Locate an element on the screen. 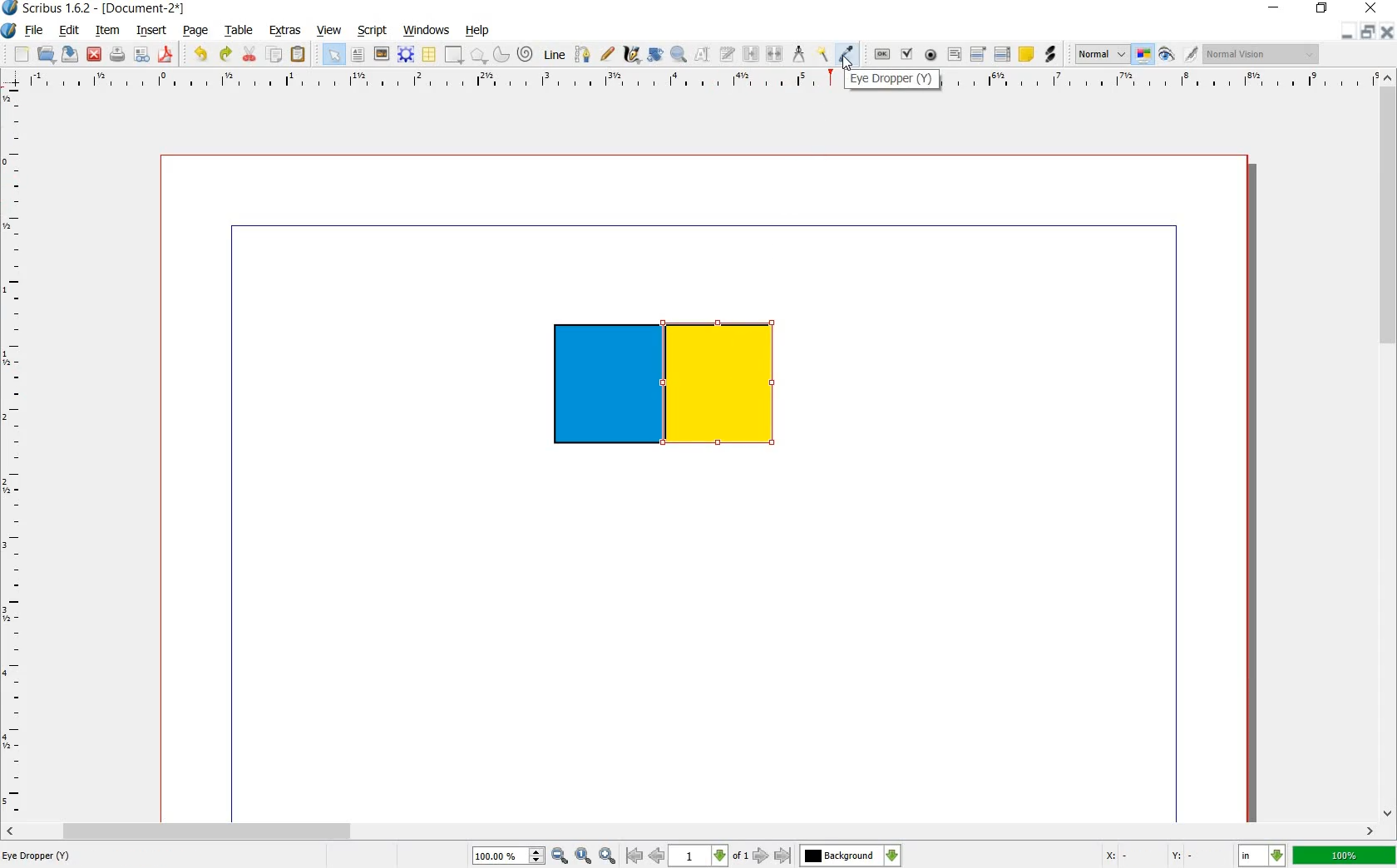 This screenshot has height=868, width=1397. close is located at coordinates (1389, 32).